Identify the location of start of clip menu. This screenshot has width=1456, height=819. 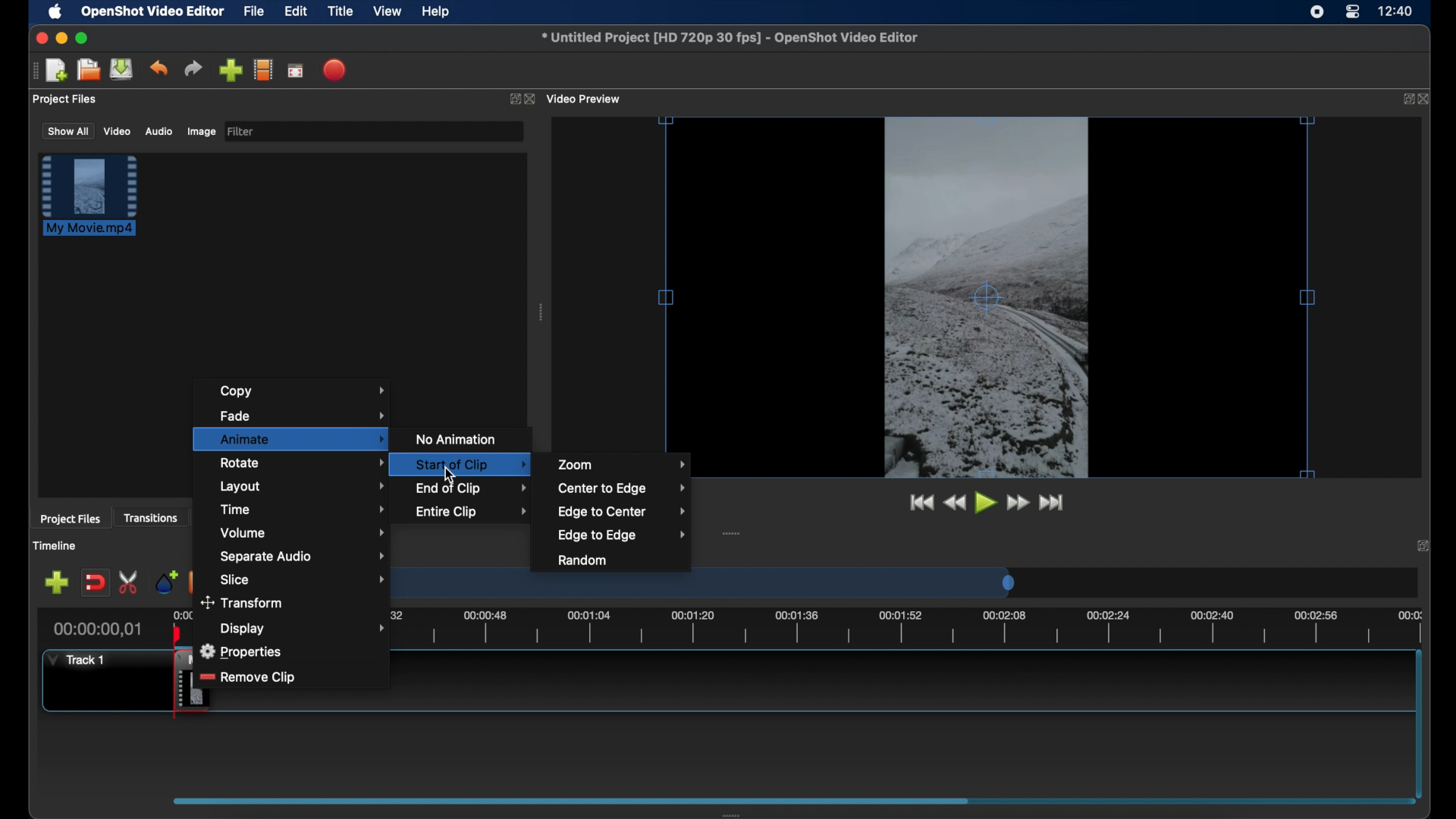
(457, 463).